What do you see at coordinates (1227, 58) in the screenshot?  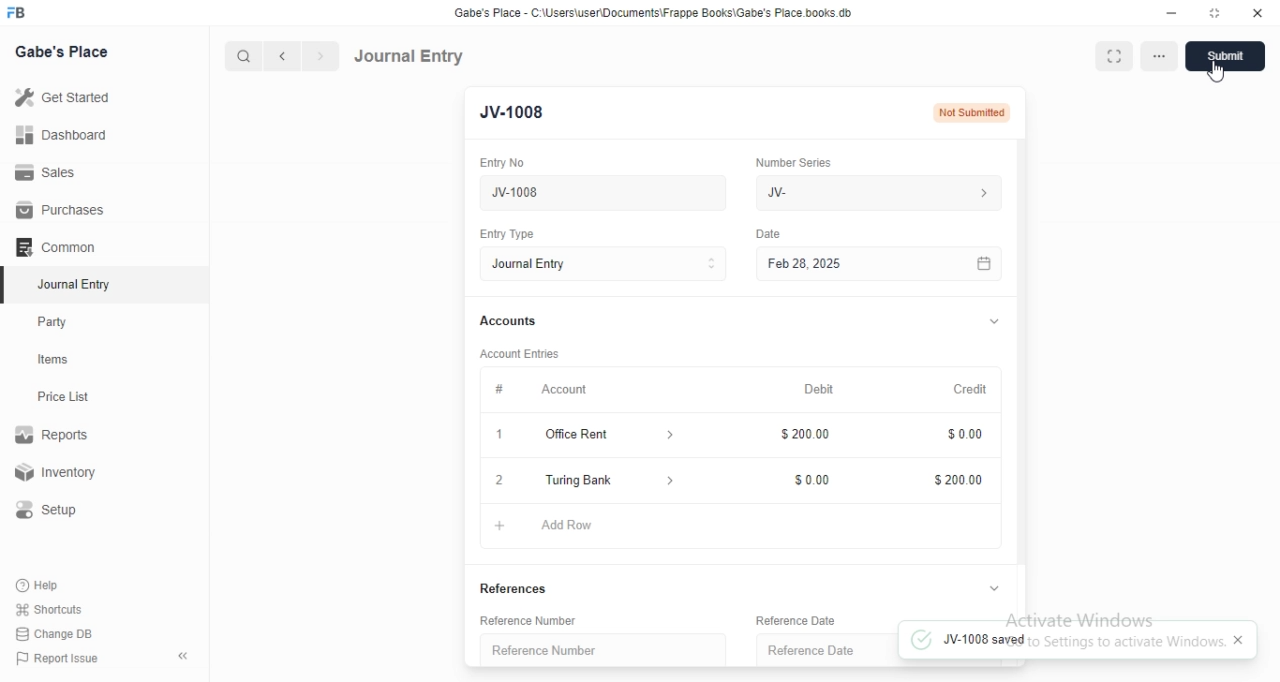 I see `submit` at bounding box center [1227, 58].